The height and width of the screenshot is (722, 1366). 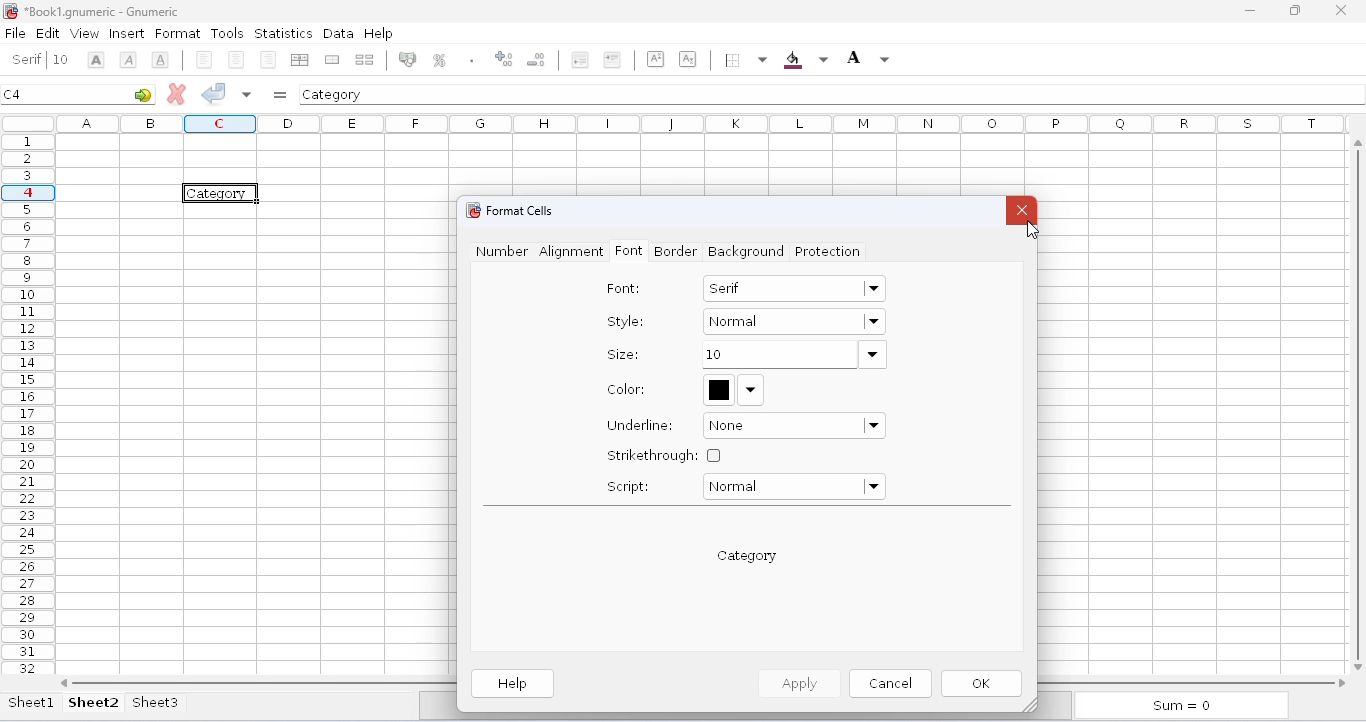 What do you see at coordinates (32, 702) in the screenshot?
I see `sheet1` at bounding box center [32, 702].